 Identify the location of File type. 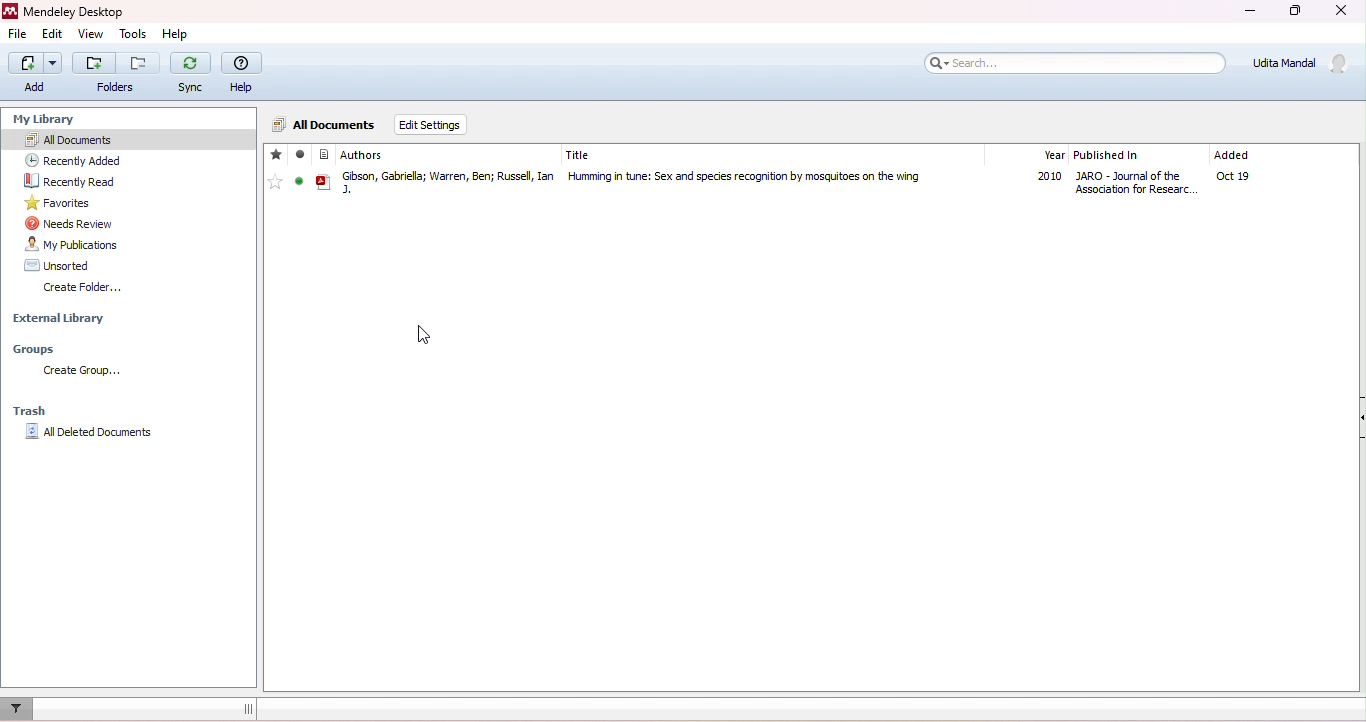
(323, 154).